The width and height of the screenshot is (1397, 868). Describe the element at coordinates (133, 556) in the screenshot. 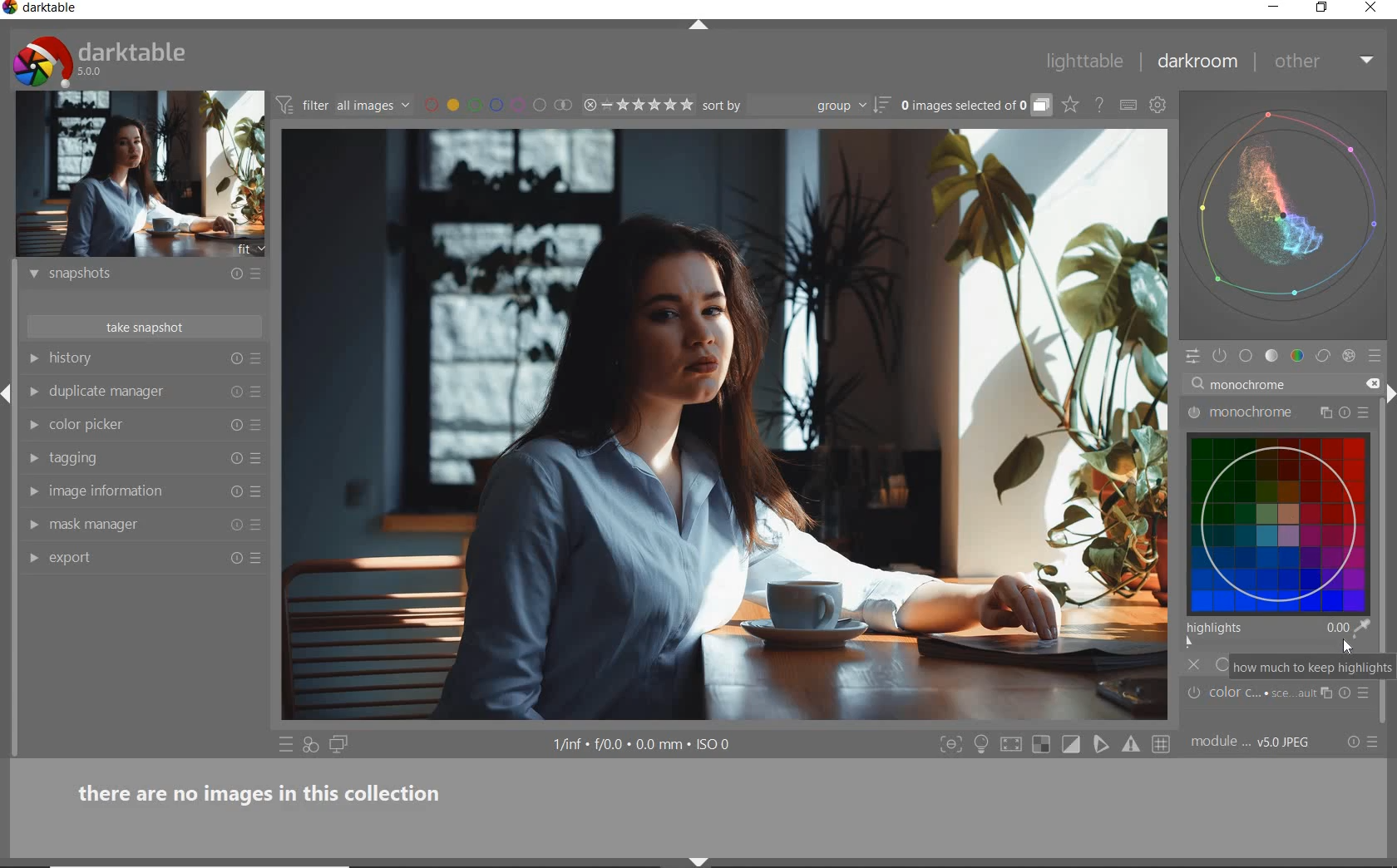

I see `export` at that location.